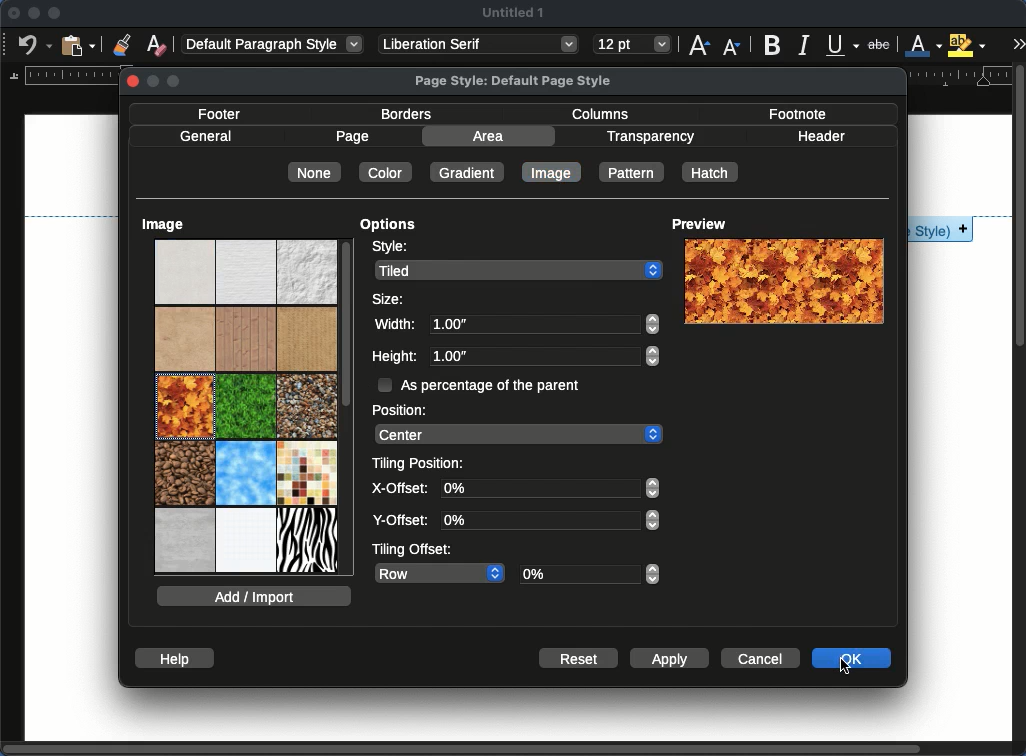 The width and height of the screenshot is (1026, 756). What do you see at coordinates (255, 597) in the screenshot?
I see `add / import` at bounding box center [255, 597].